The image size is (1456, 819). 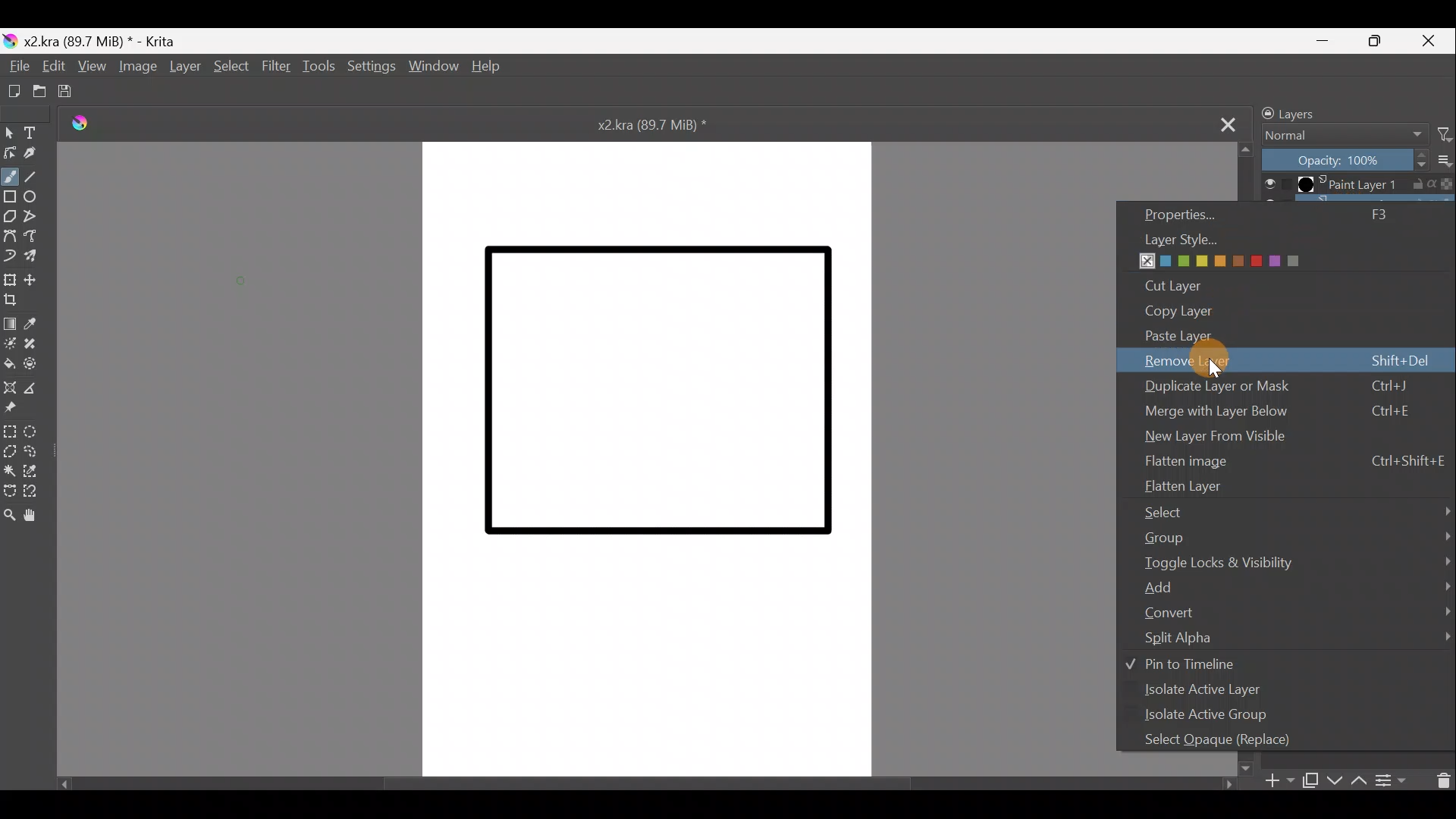 I want to click on Cut layer, so click(x=1175, y=284).